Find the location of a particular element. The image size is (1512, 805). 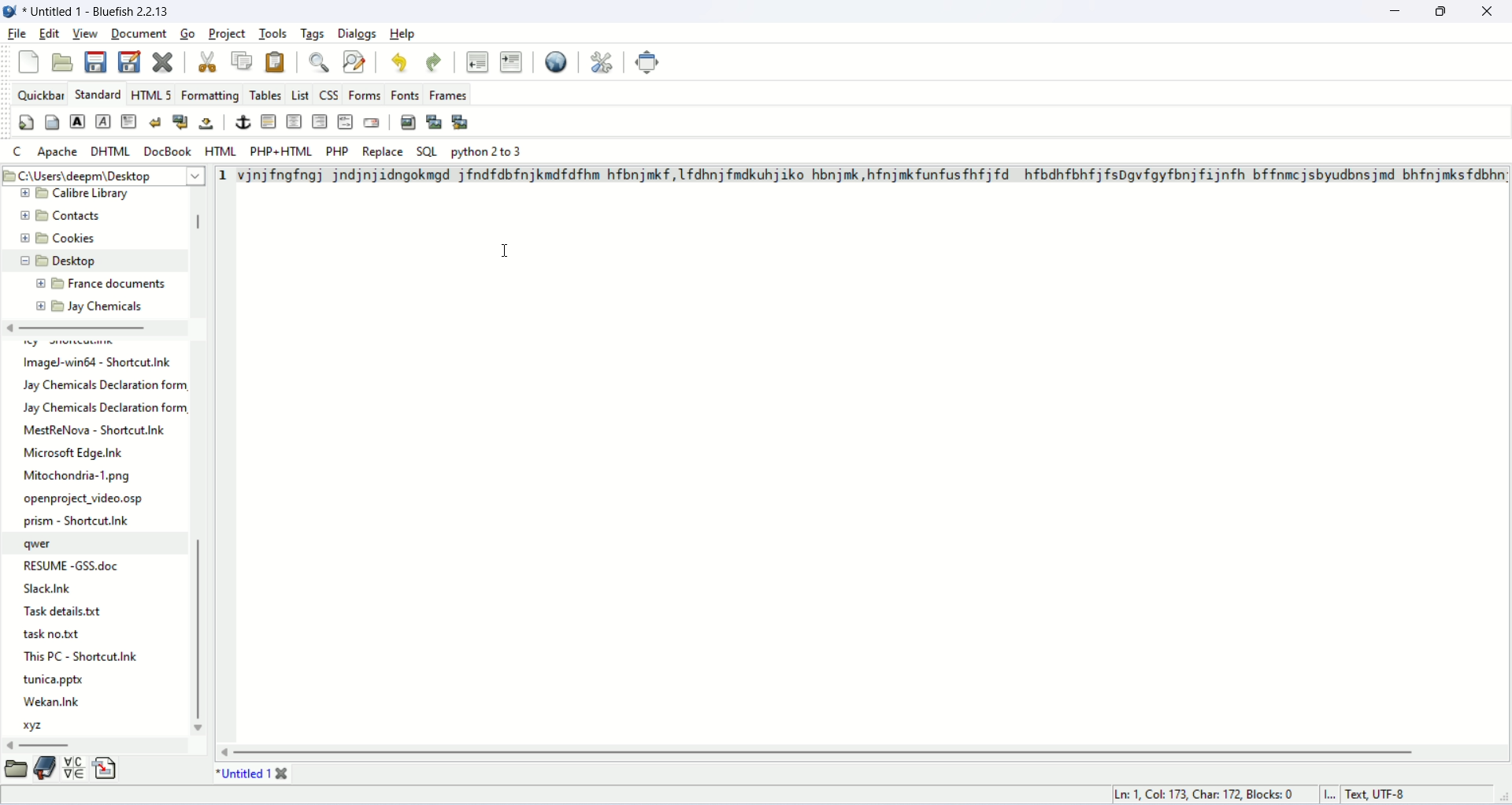

tools is located at coordinates (277, 34).